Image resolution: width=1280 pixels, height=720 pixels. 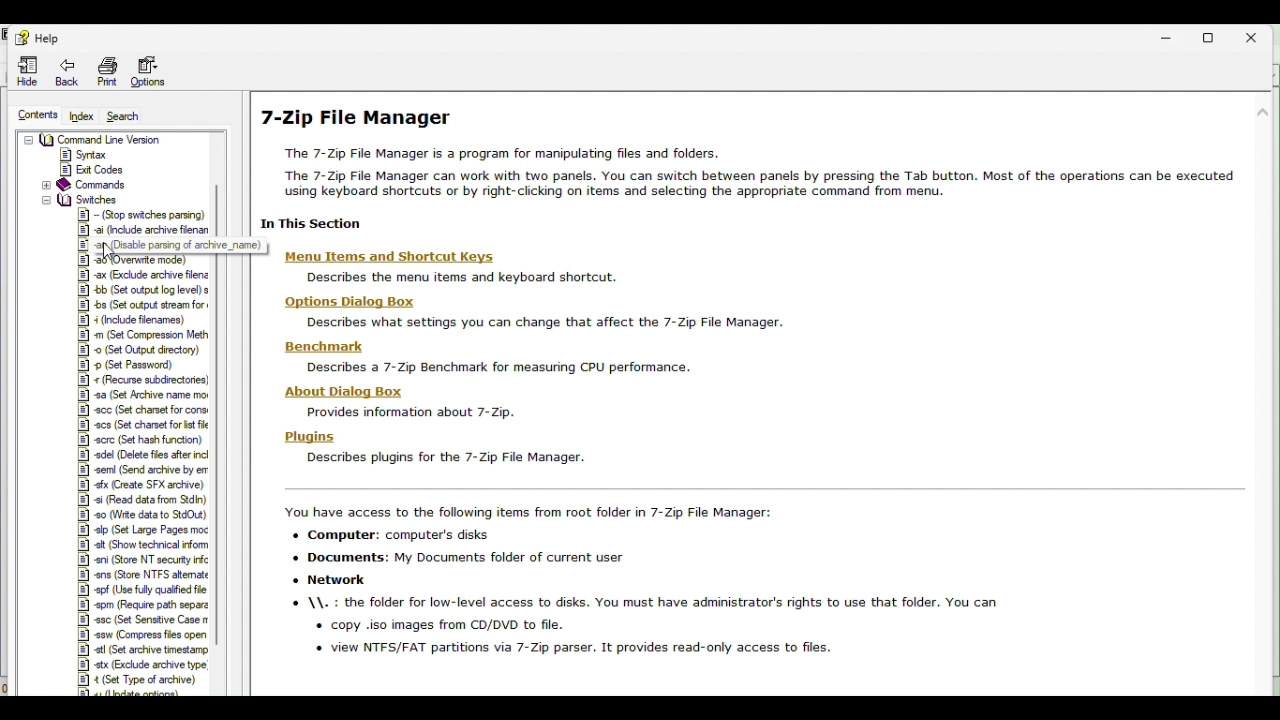 I want to click on Close , so click(x=1259, y=36).